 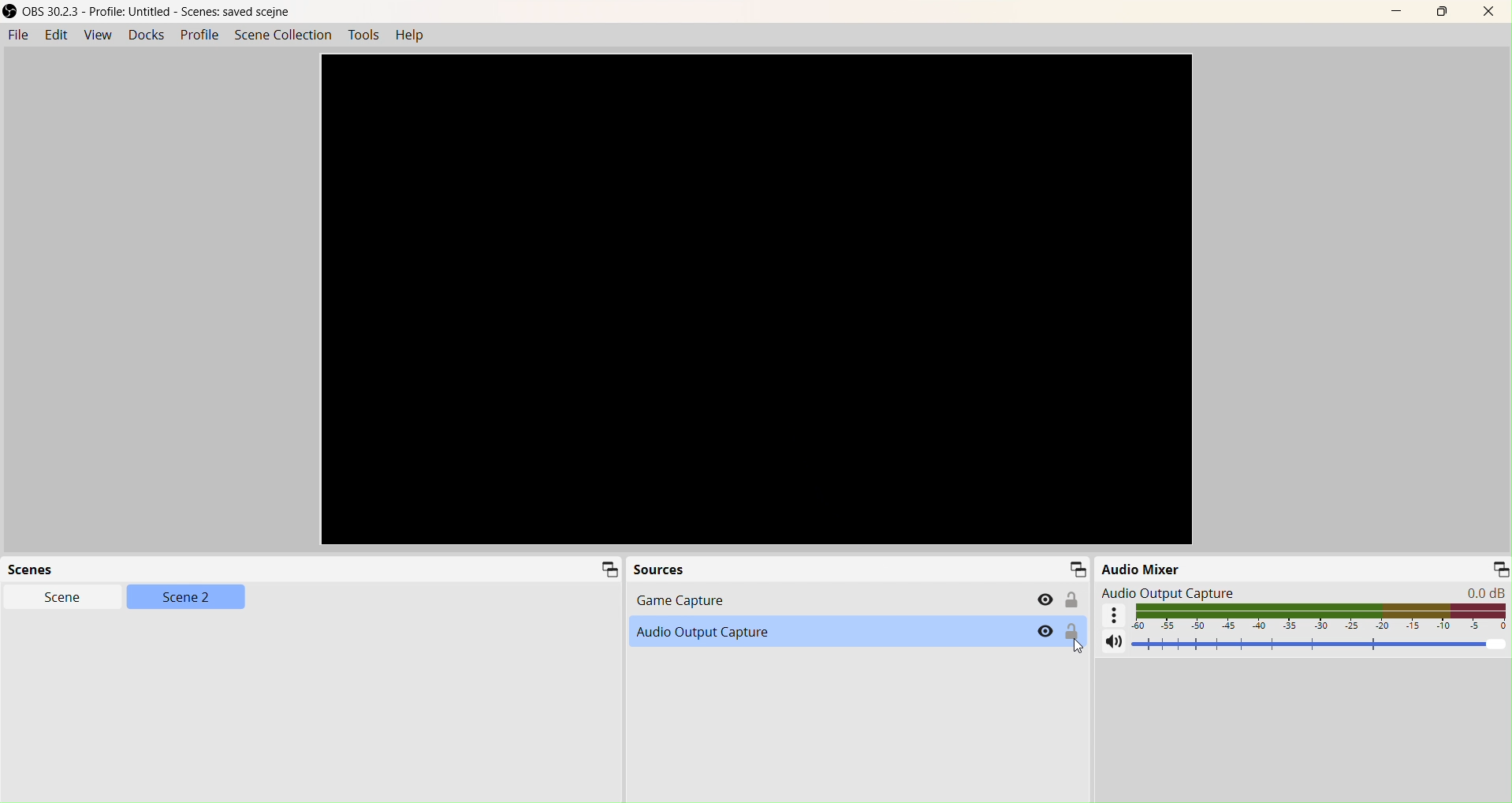 I want to click on Restore down, so click(x=1441, y=12).